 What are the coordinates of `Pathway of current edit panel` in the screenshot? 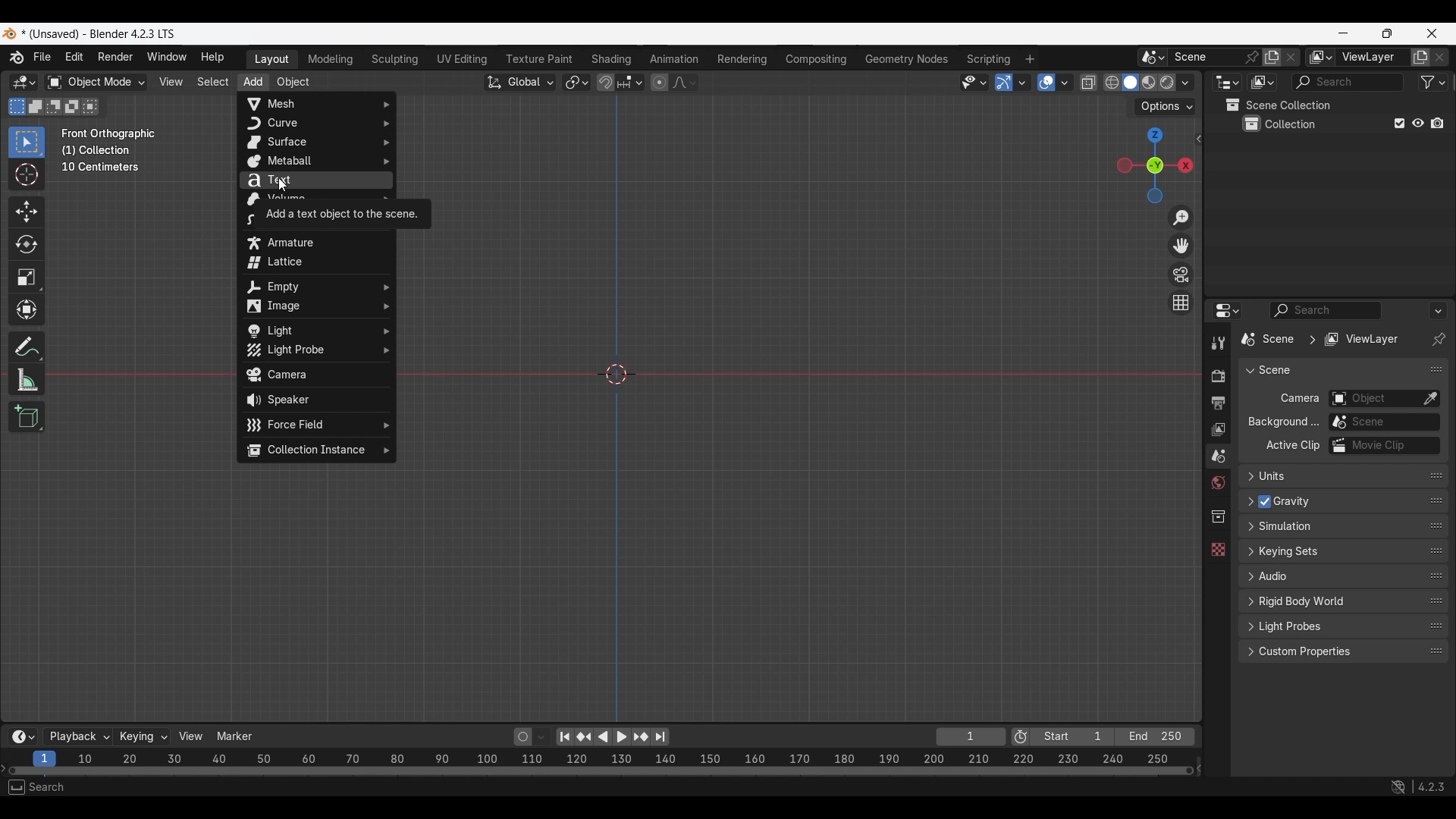 It's located at (1319, 339).